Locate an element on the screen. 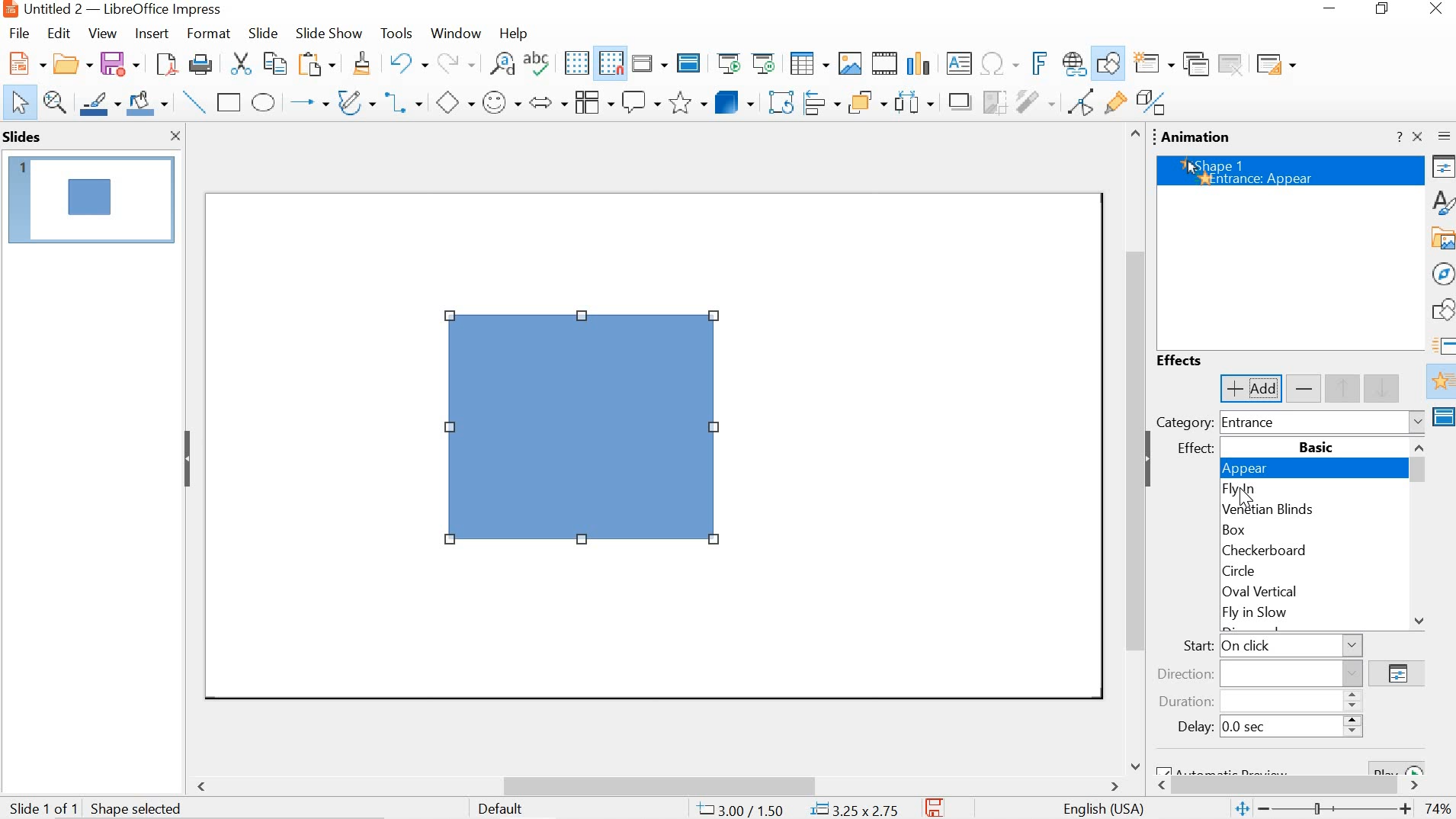 The image size is (1456, 819). display views is located at coordinates (649, 65).